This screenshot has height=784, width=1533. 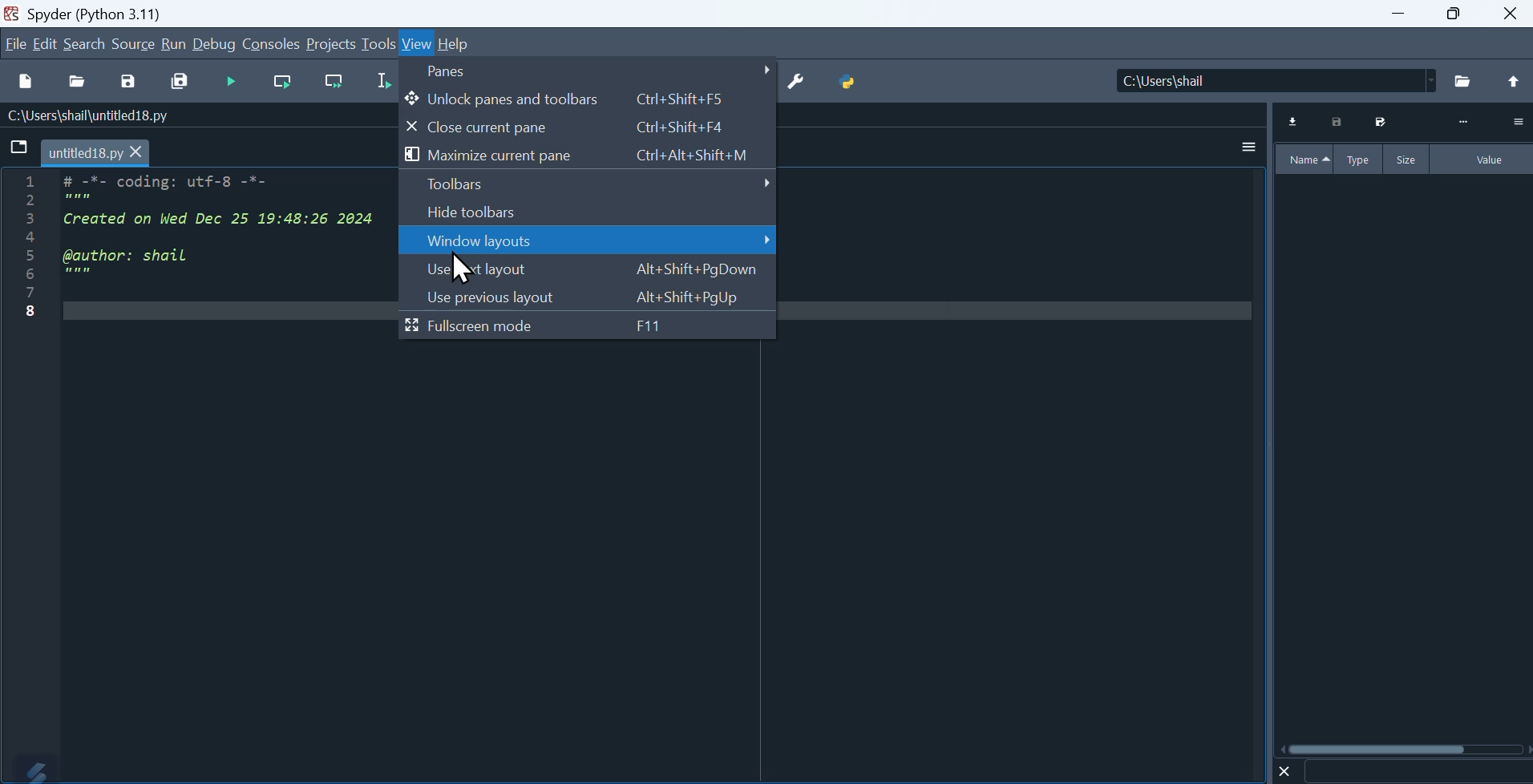 What do you see at coordinates (588, 184) in the screenshot?
I see `Toolbars` at bounding box center [588, 184].